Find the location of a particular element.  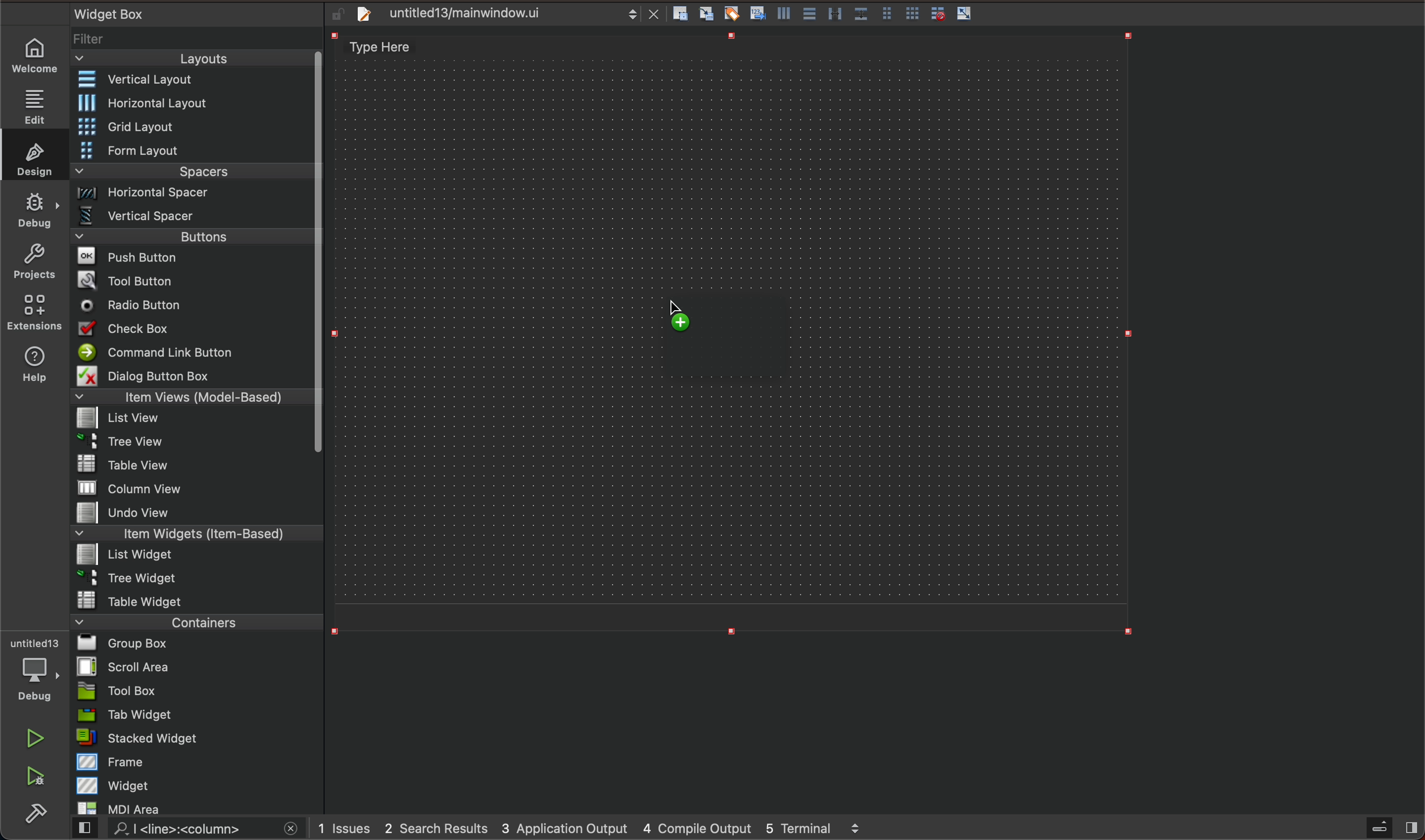

 is located at coordinates (967, 15).